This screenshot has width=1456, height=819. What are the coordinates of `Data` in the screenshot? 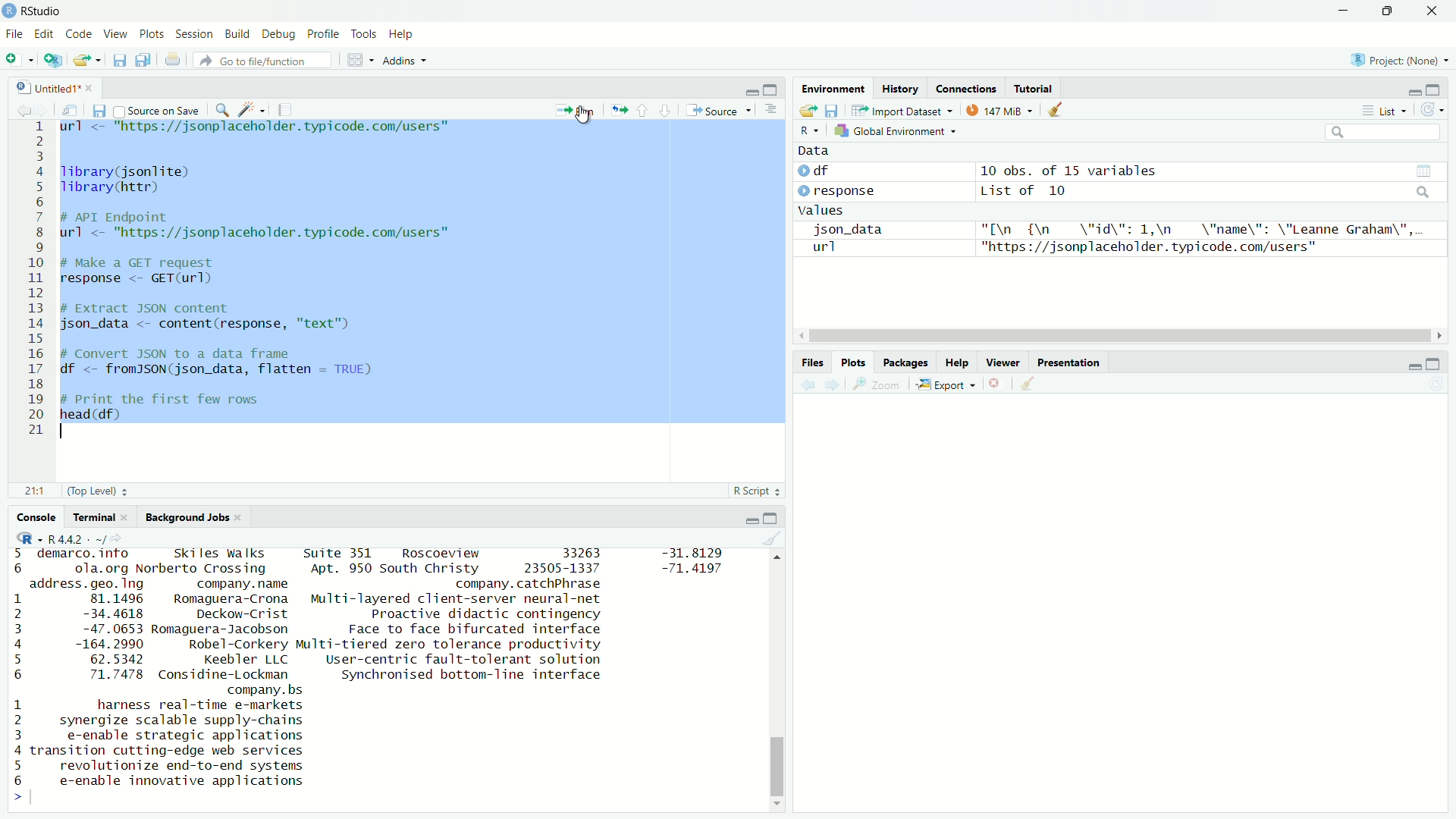 It's located at (817, 149).